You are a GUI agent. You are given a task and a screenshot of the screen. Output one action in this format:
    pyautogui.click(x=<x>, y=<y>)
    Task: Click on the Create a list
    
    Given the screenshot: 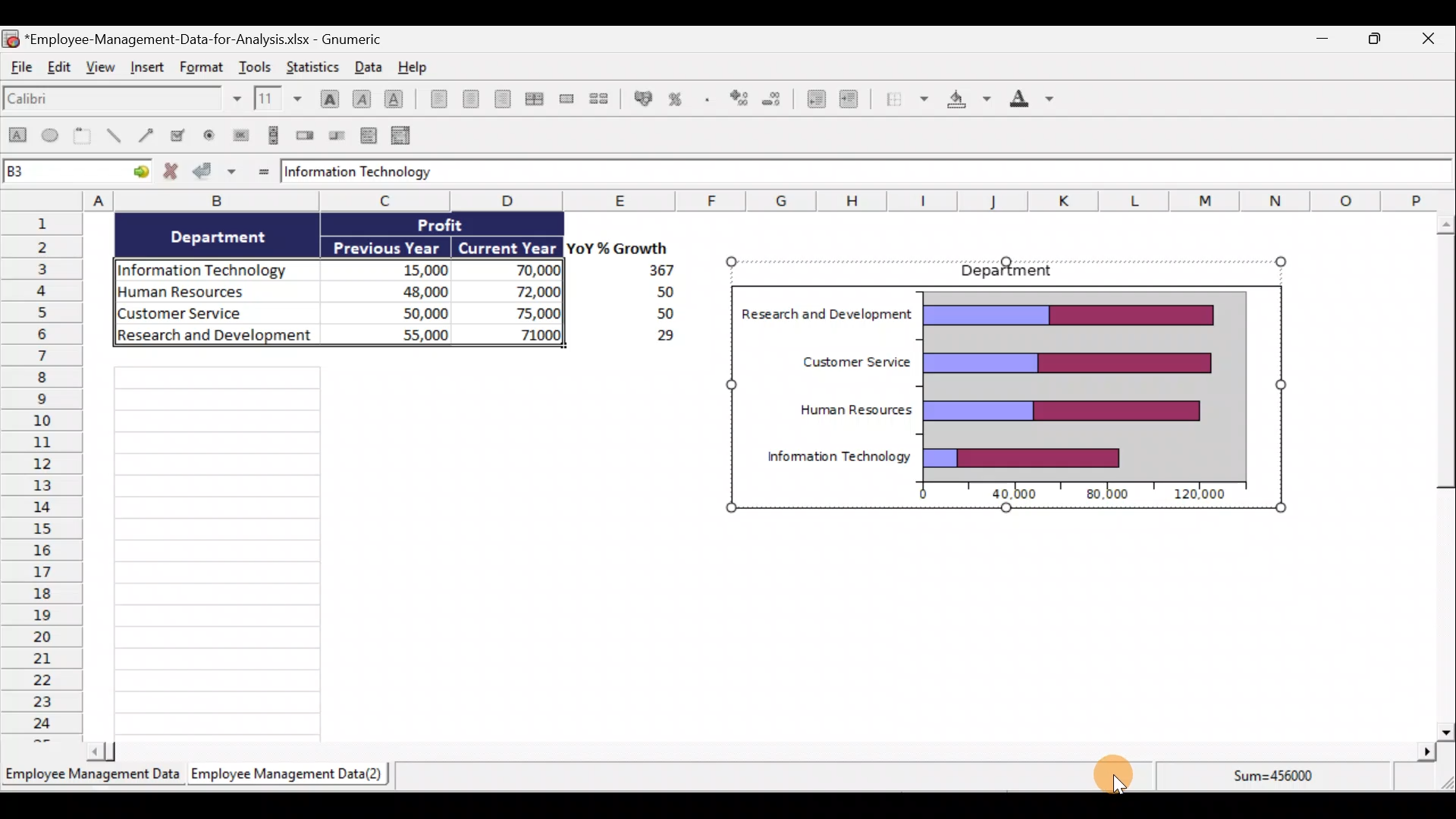 What is the action you would take?
    pyautogui.click(x=367, y=137)
    